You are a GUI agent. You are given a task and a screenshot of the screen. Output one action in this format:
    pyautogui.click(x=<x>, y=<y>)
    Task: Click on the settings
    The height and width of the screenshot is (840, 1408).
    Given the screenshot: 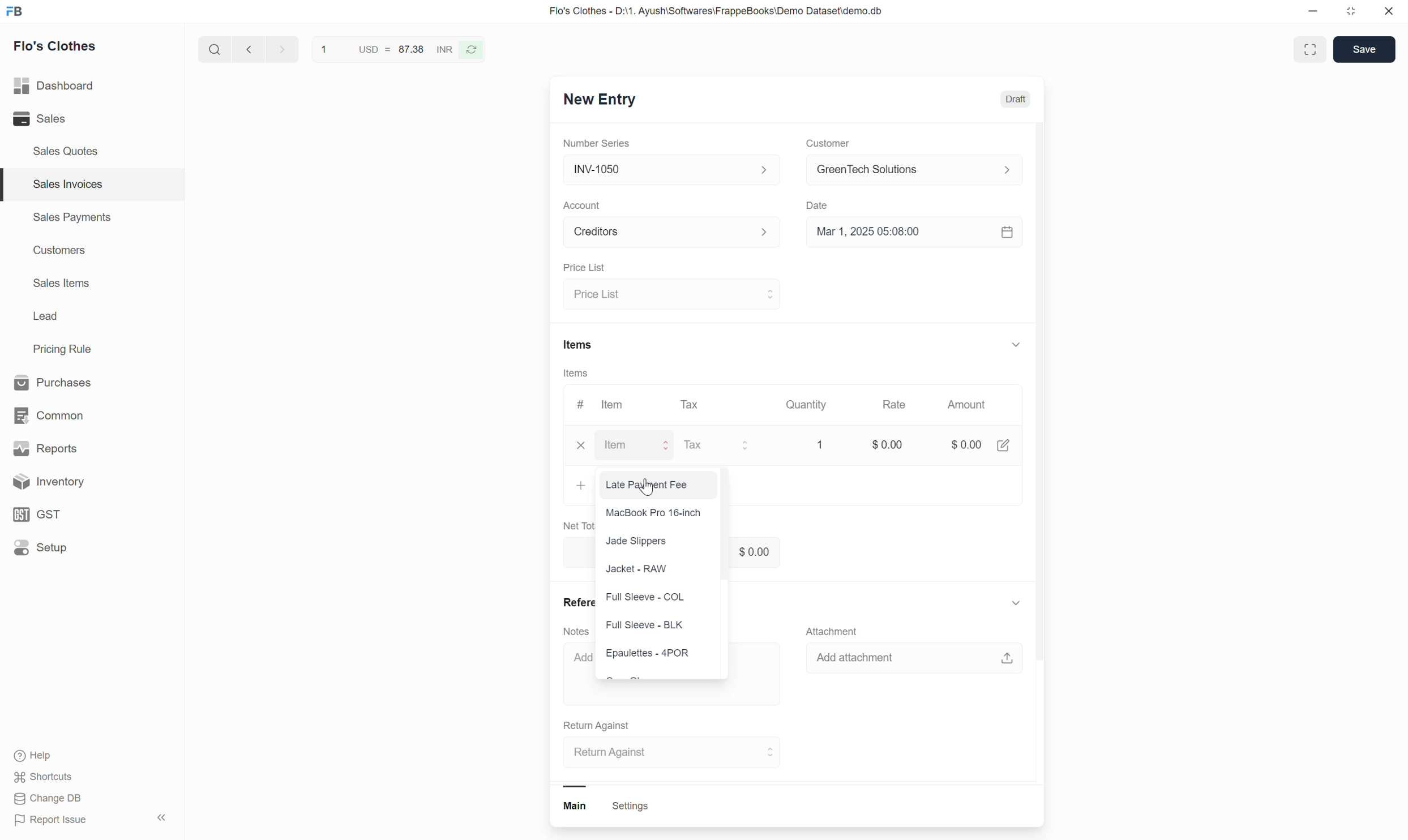 What is the action you would take?
    pyautogui.click(x=631, y=808)
    